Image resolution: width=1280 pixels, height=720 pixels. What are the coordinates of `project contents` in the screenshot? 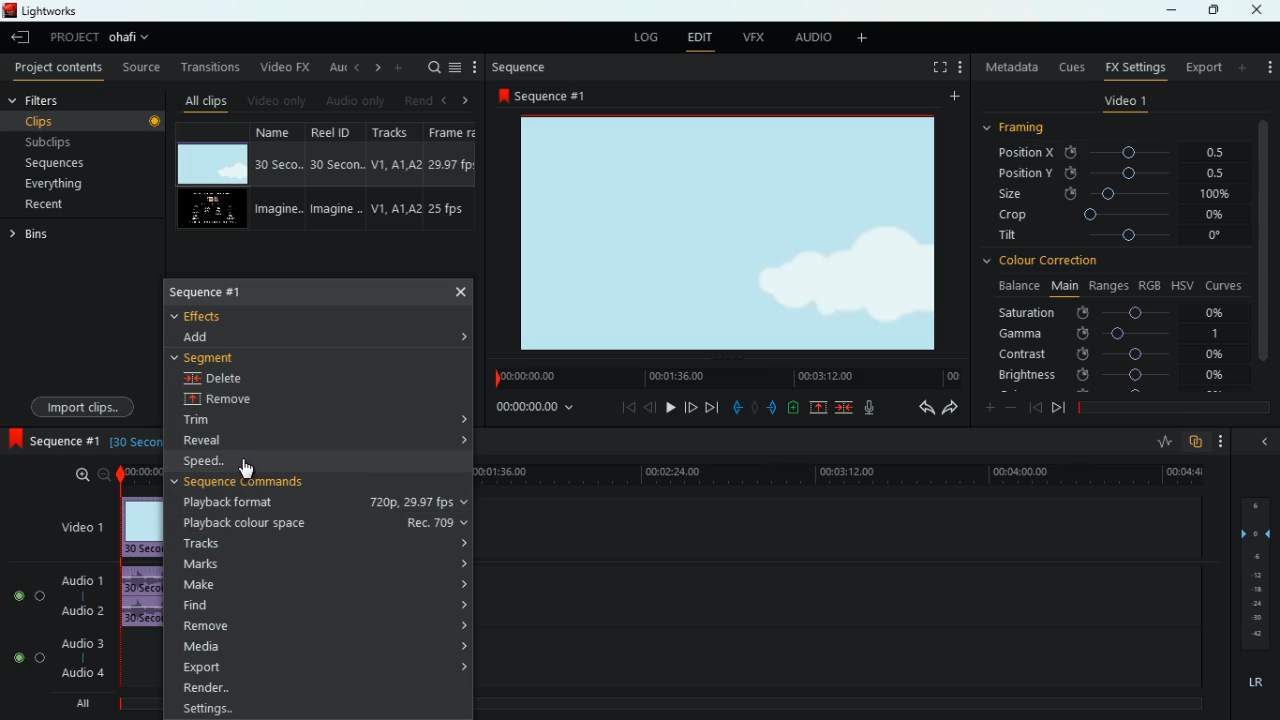 It's located at (56, 69).